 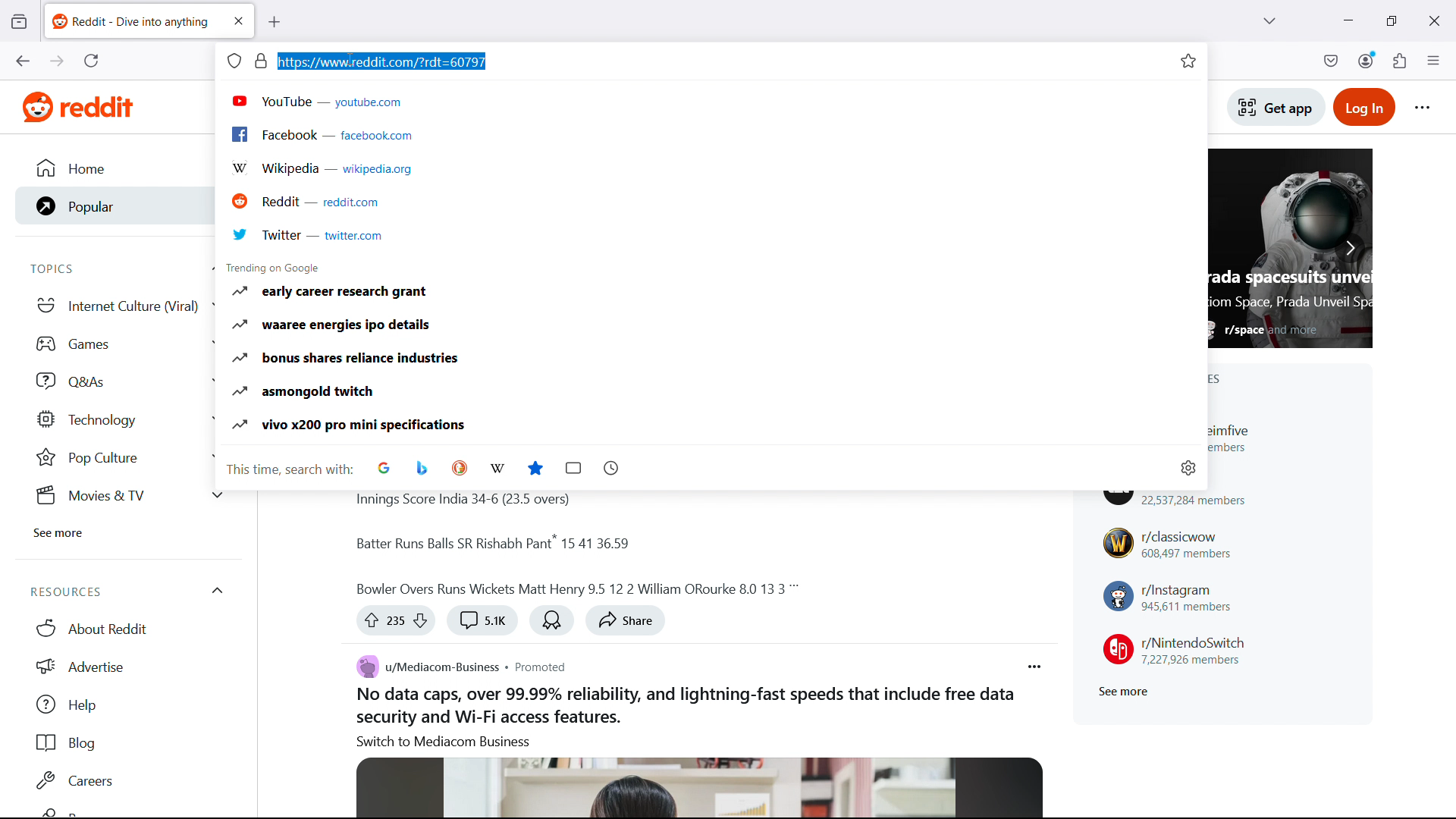 I want to click on go back one page, so click(x=22, y=60).